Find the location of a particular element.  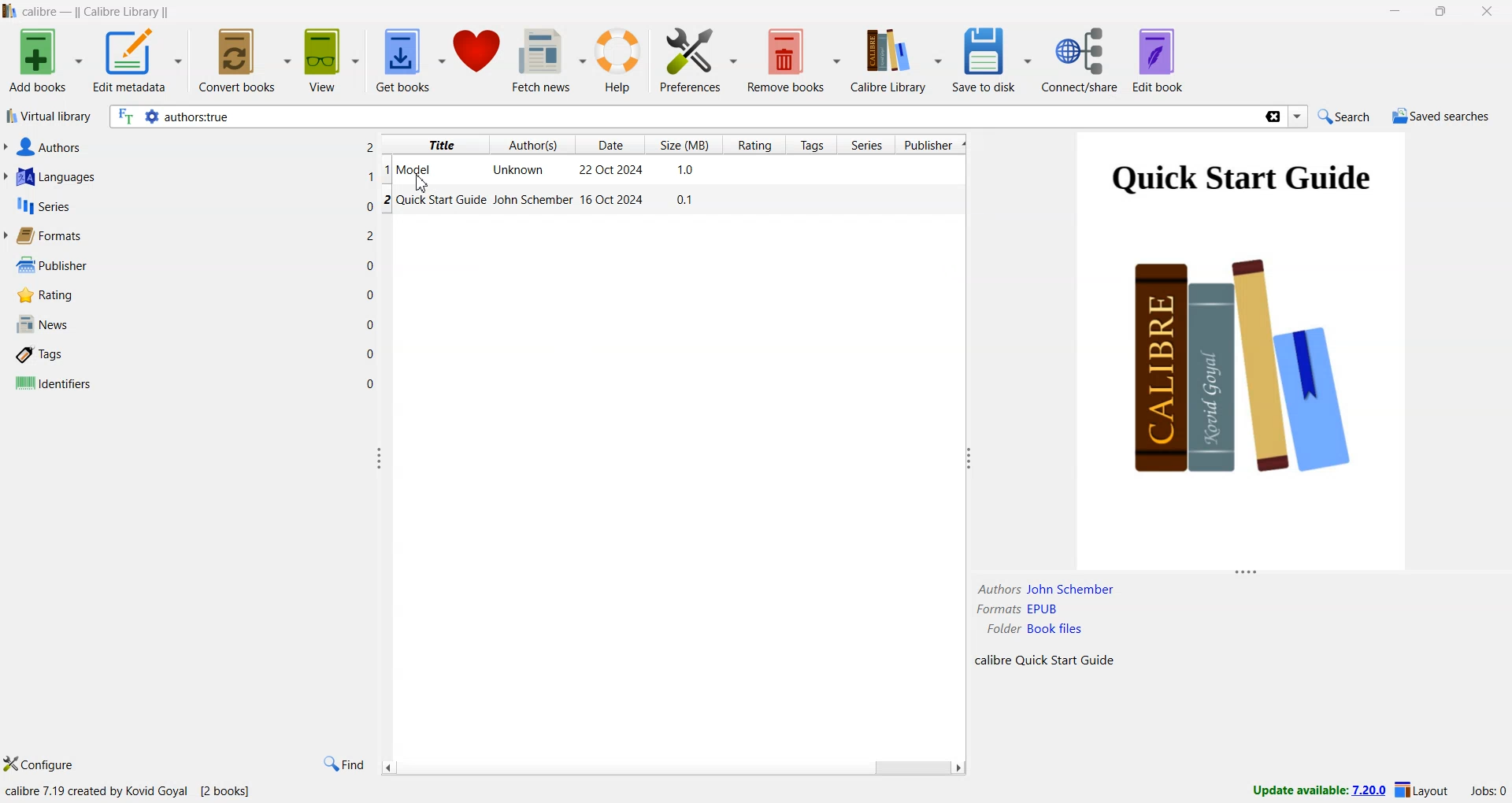

date is located at coordinates (610, 145).